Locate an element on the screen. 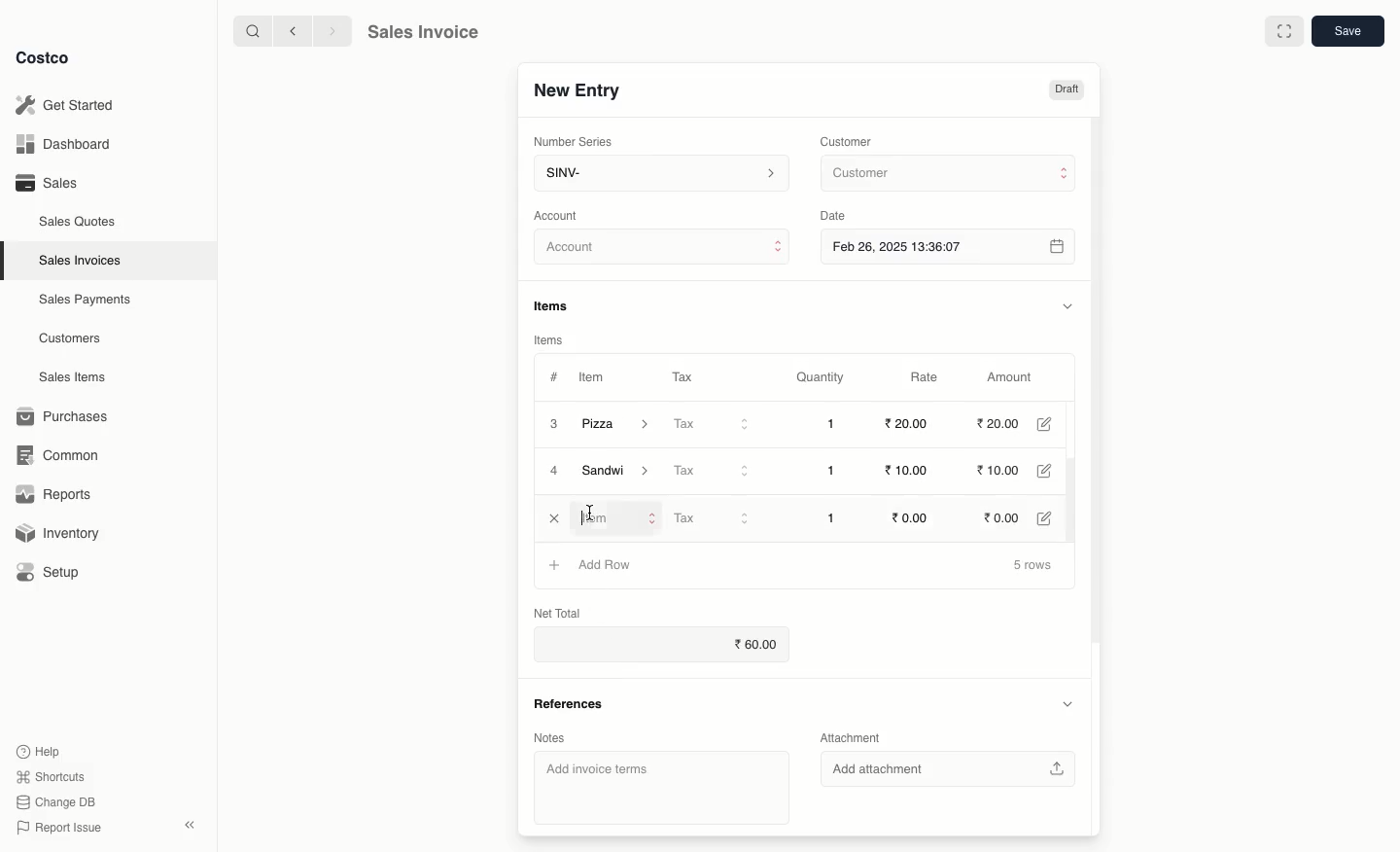 The height and width of the screenshot is (852, 1400). Change DB is located at coordinates (52, 800).